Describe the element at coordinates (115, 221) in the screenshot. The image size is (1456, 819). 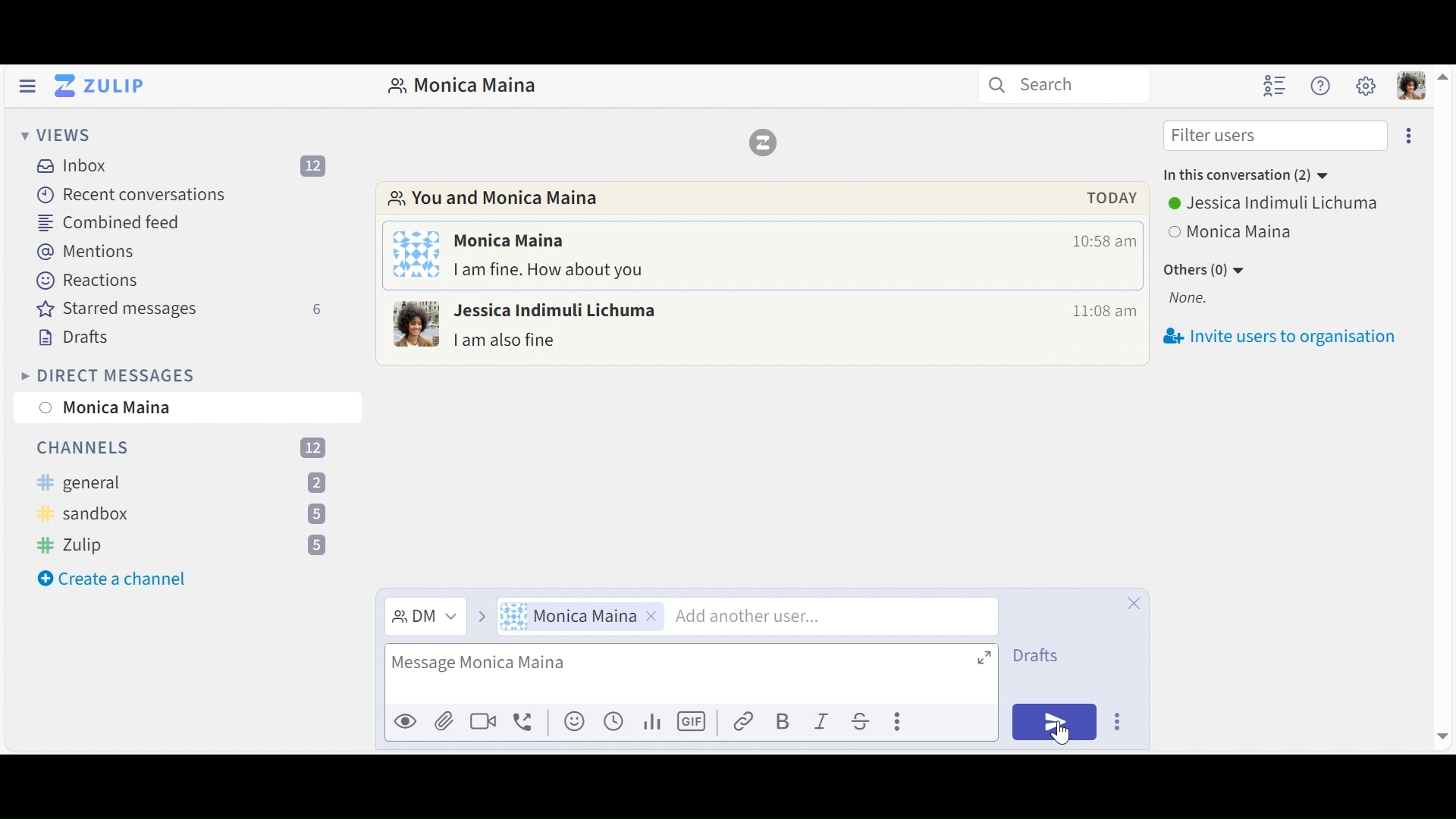
I see `Combined feed` at that location.